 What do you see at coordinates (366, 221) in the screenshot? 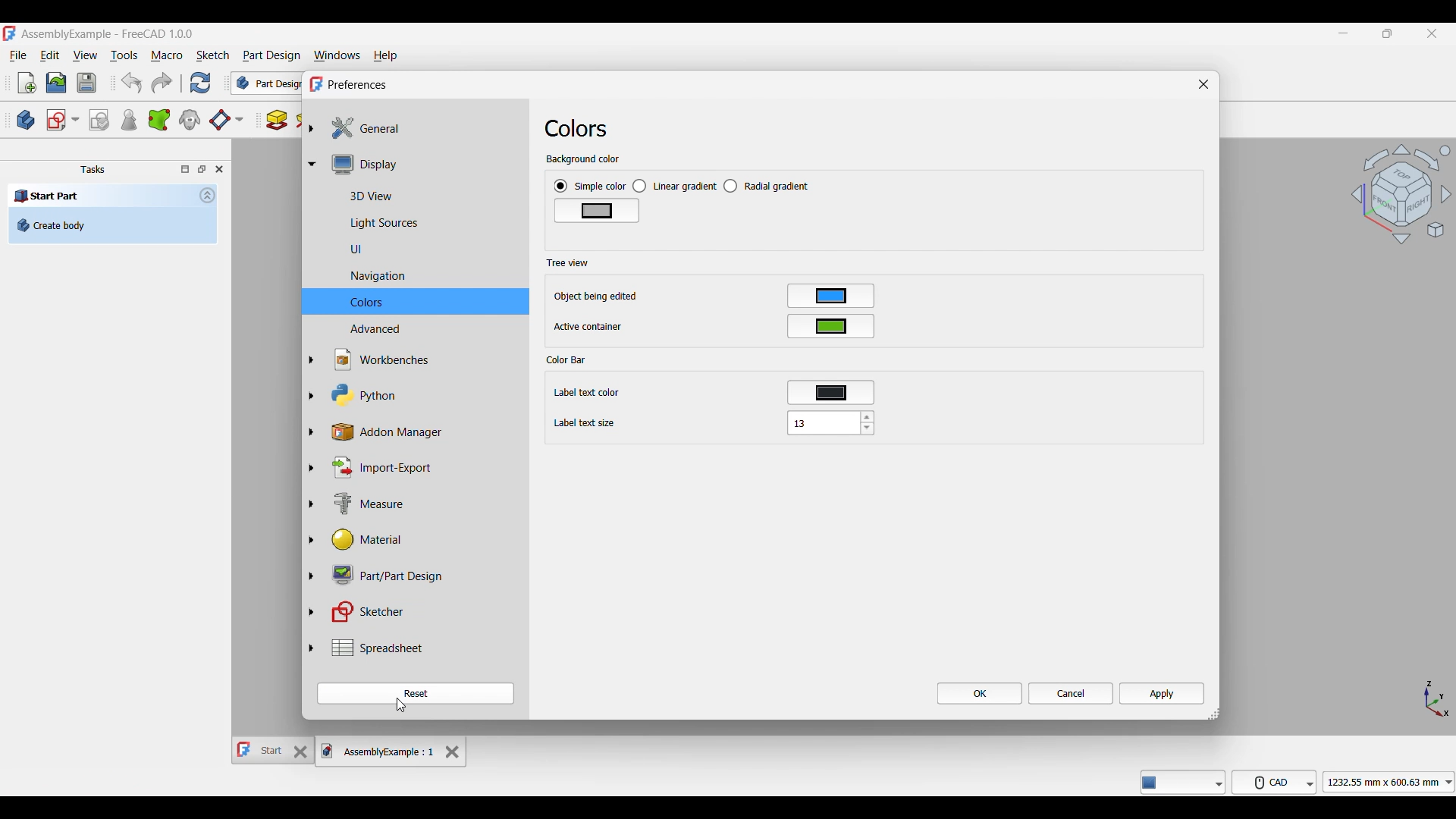
I see `Light sources` at bounding box center [366, 221].